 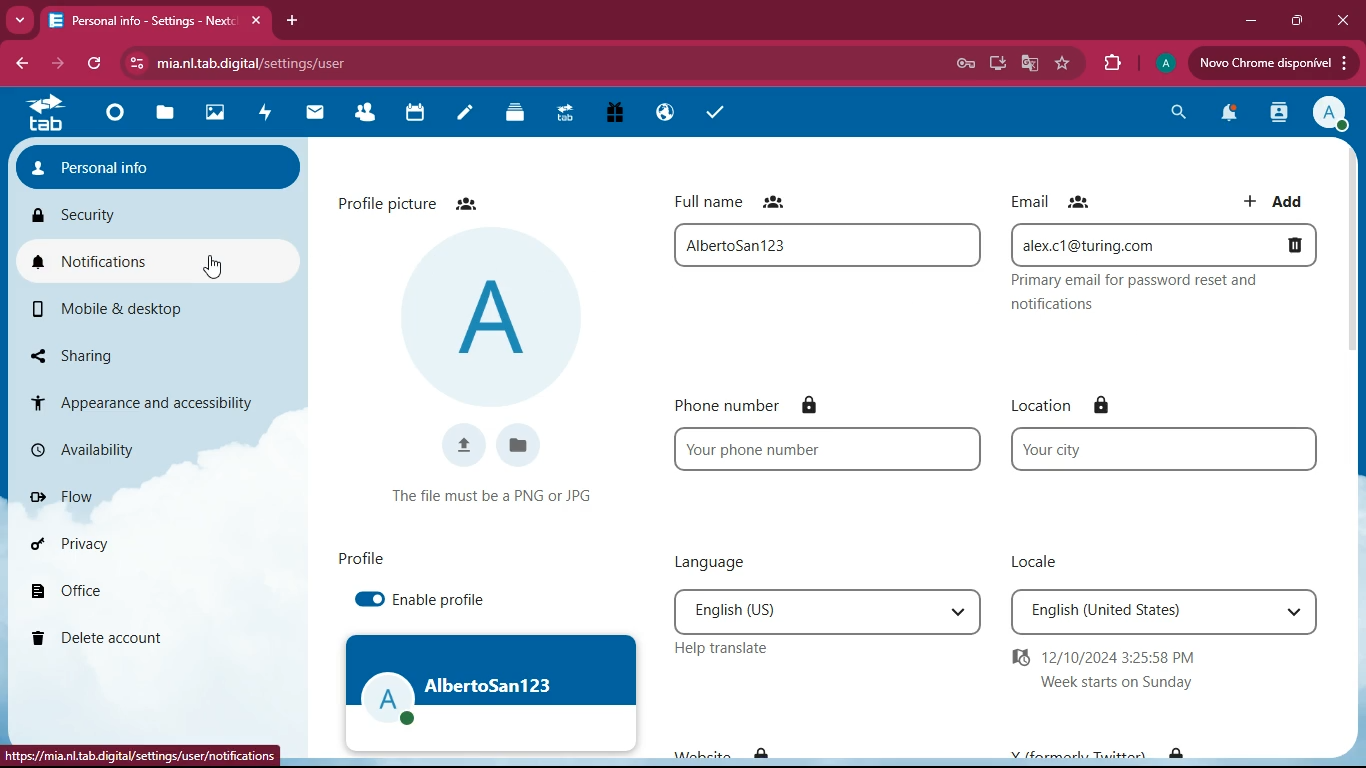 What do you see at coordinates (18, 18) in the screenshot?
I see `more` at bounding box center [18, 18].